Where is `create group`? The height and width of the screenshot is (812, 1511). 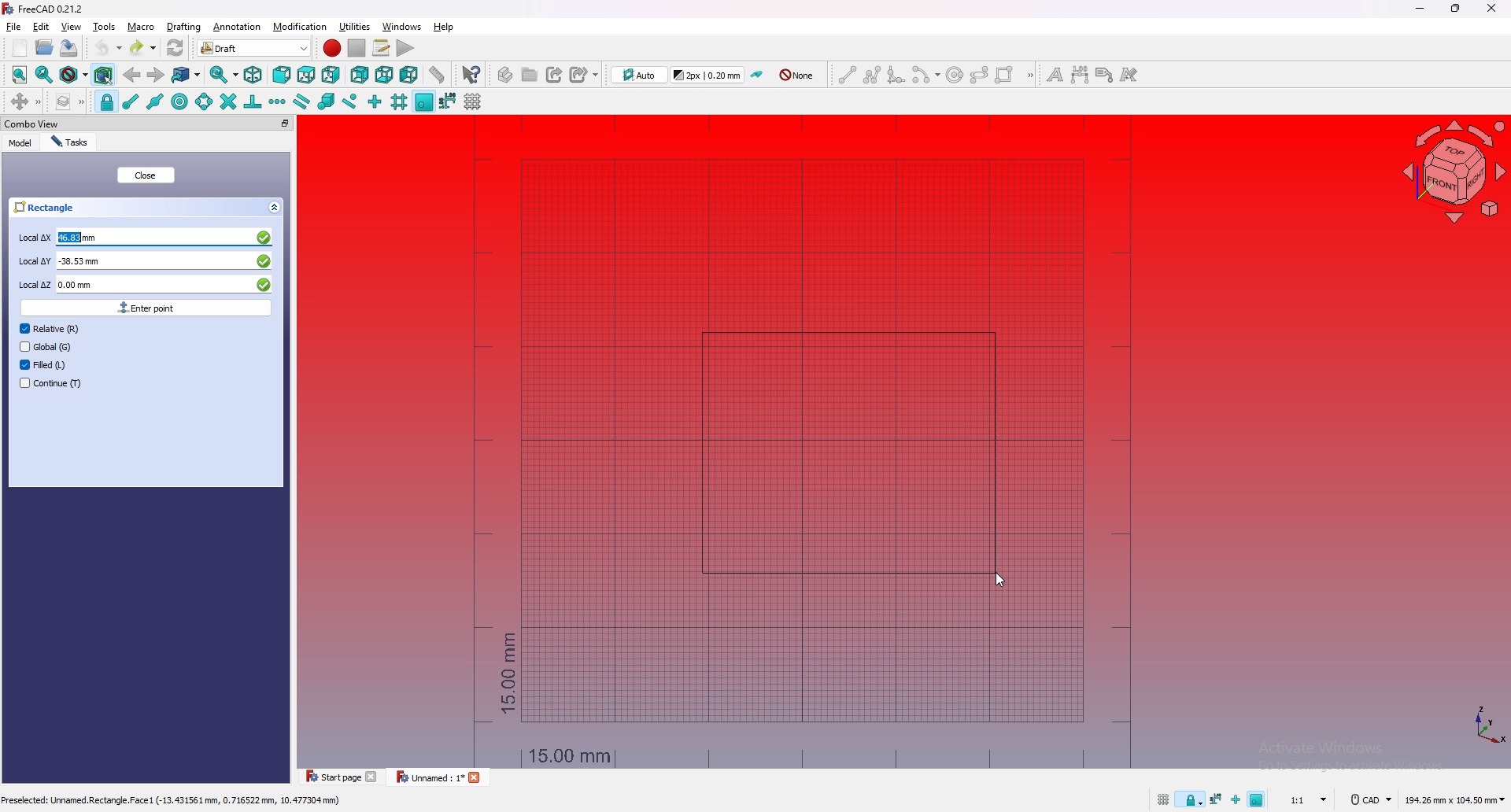
create group is located at coordinates (530, 74).